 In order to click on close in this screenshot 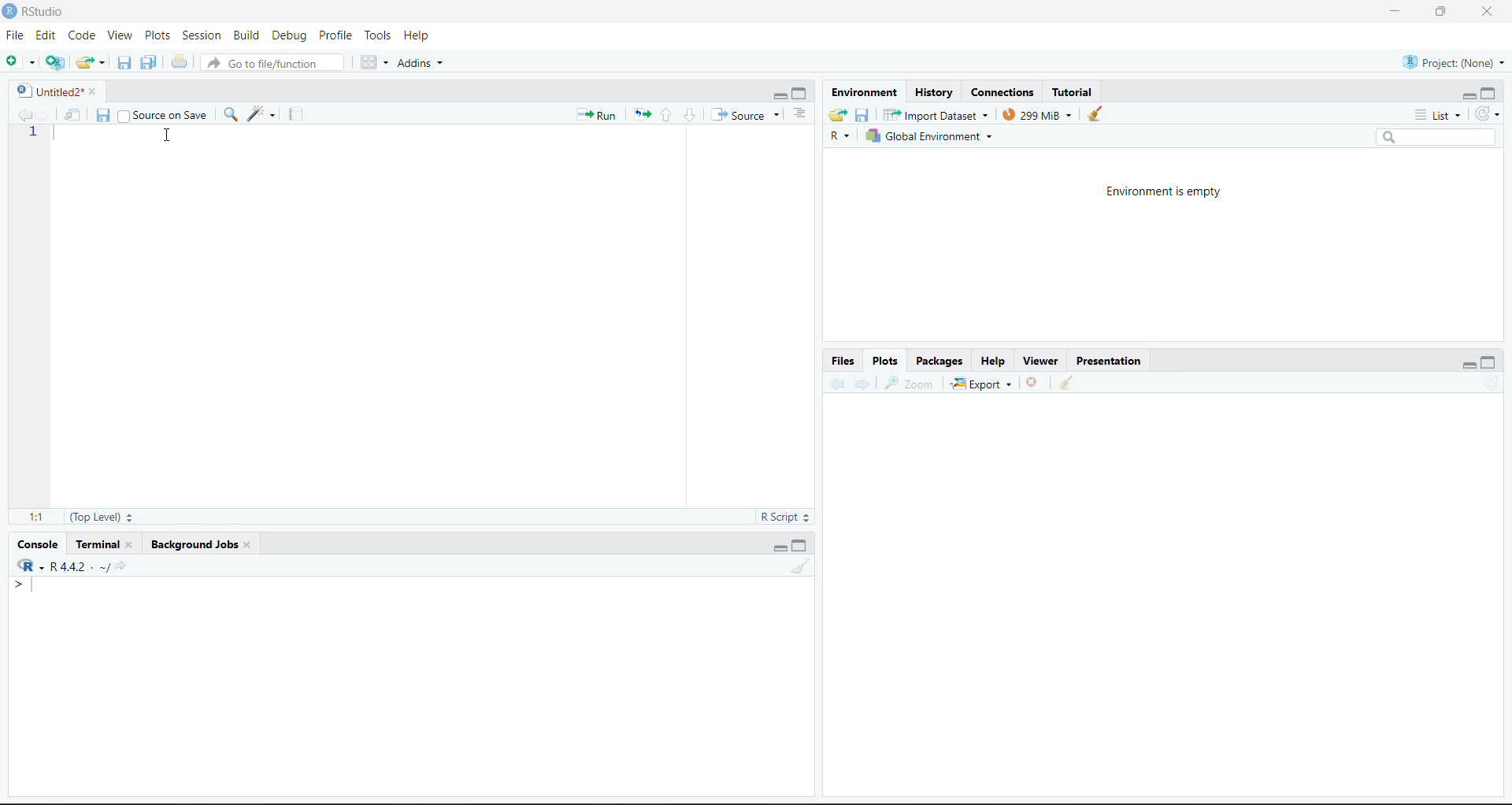, I will do `click(132, 544)`.